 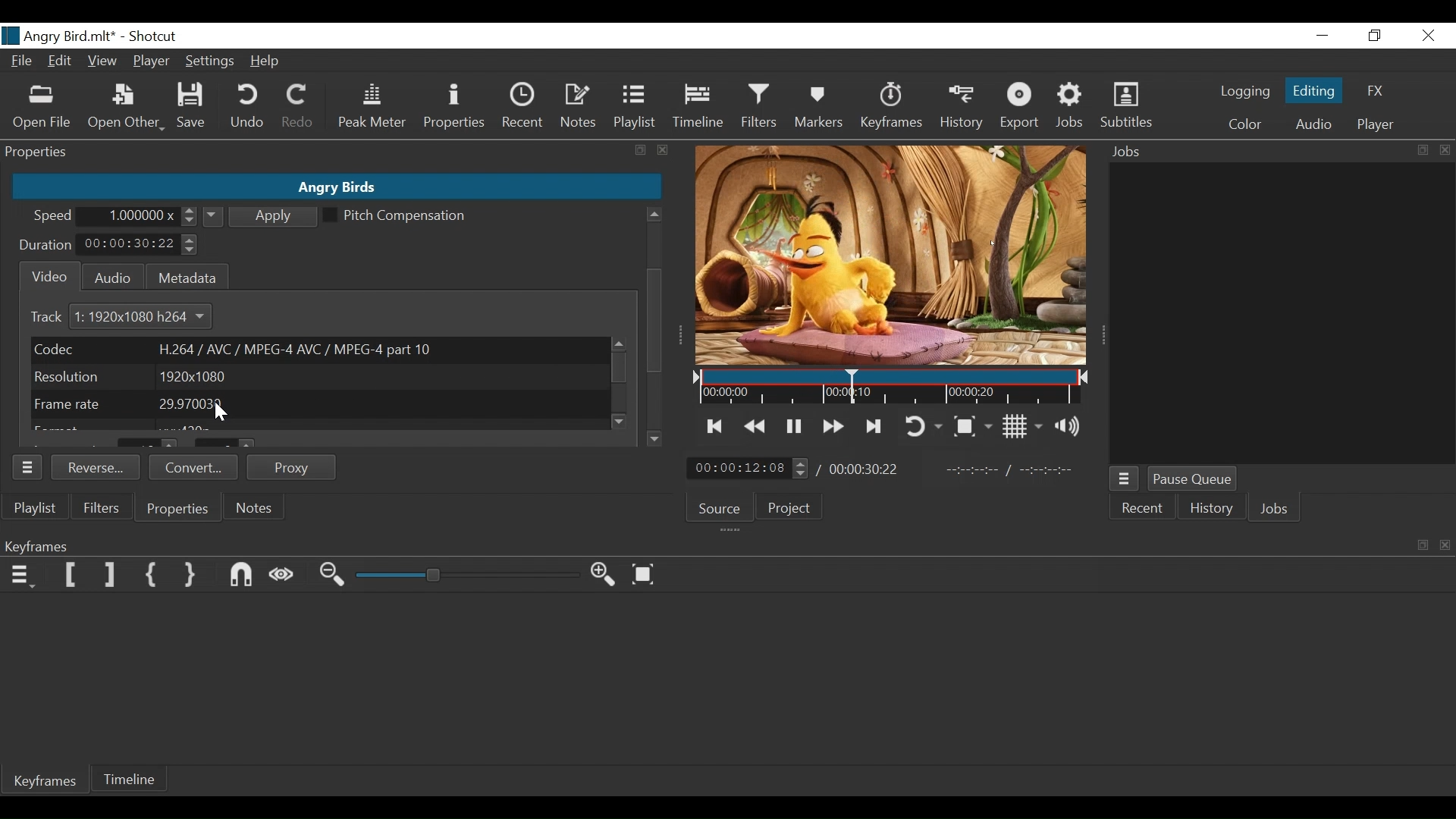 What do you see at coordinates (217, 411) in the screenshot?
I see `Cursor` at bounding box center [217, 411].